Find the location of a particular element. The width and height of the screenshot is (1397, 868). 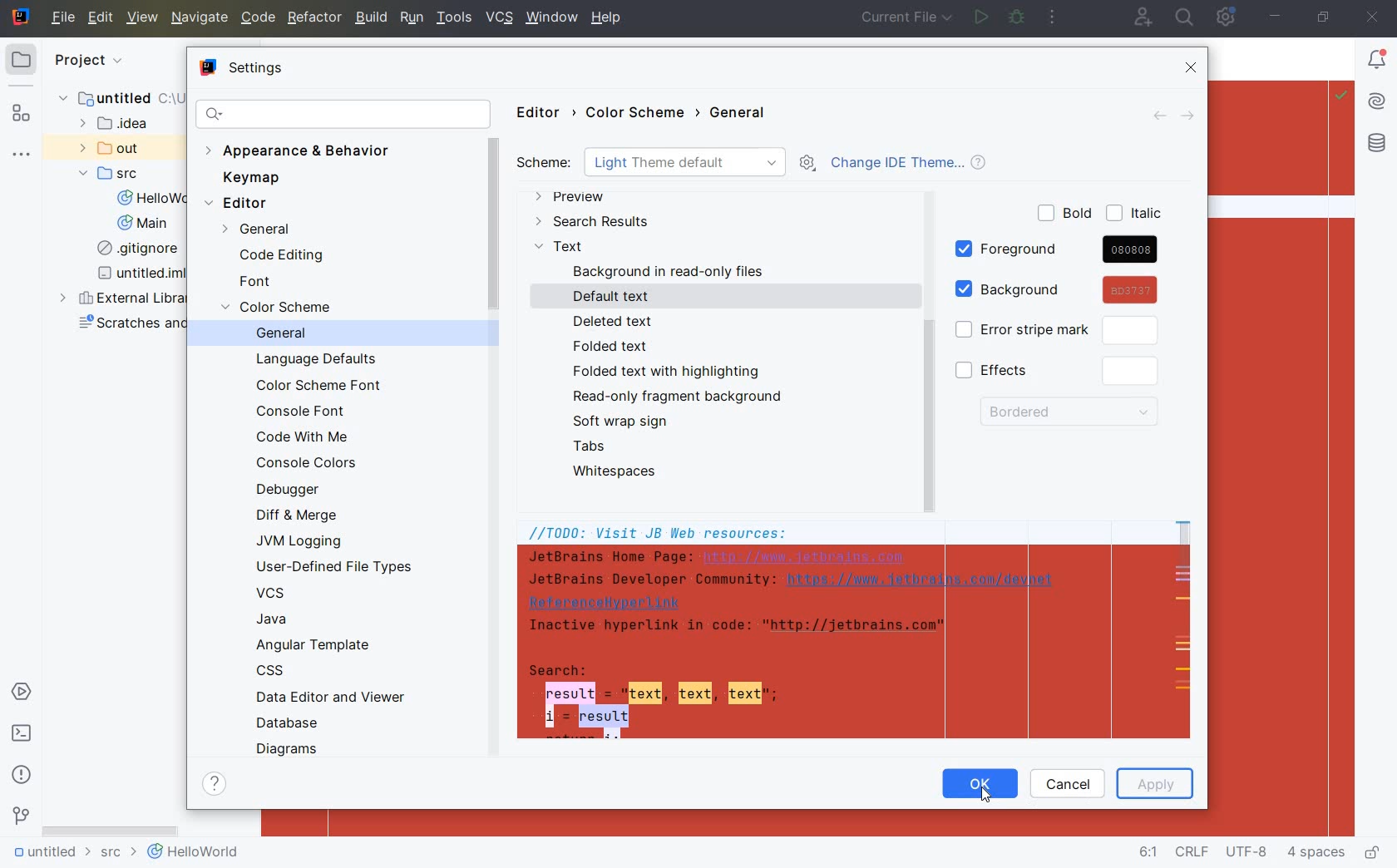

SEARCH SETTINGS is located at coordinates (343, 113).